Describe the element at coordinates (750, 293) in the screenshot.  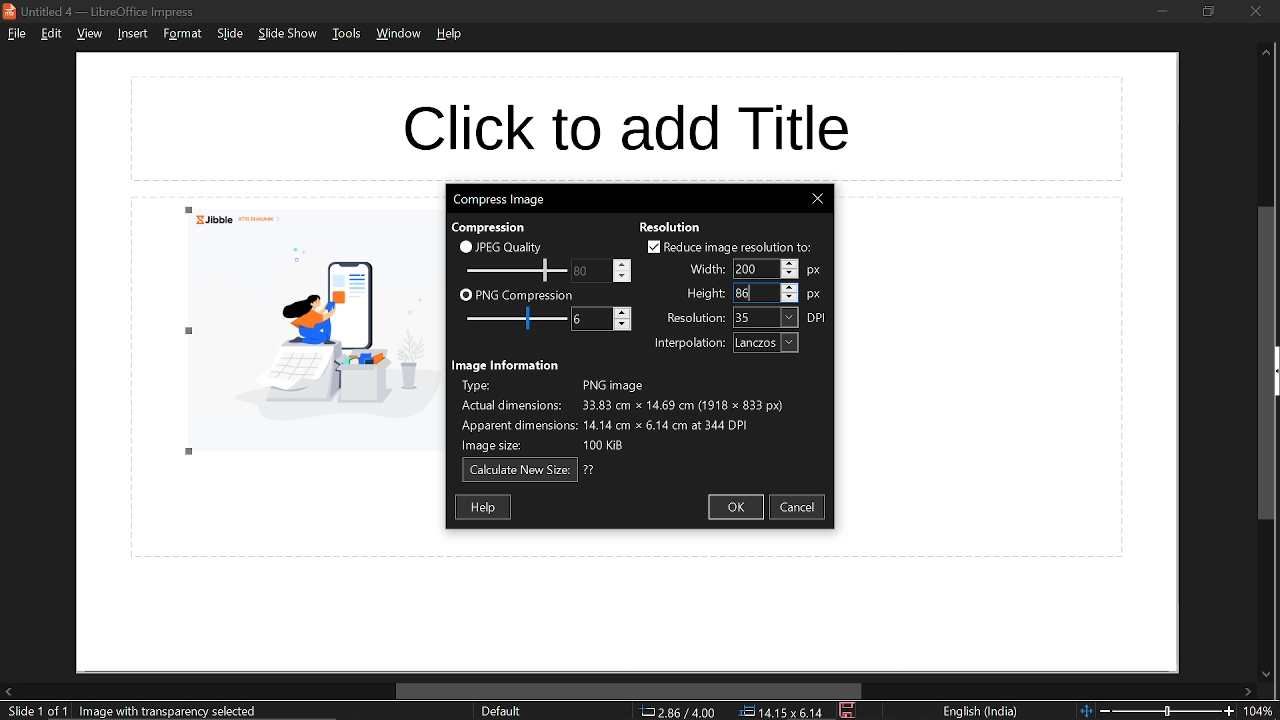
I see `Cursor` at that location.